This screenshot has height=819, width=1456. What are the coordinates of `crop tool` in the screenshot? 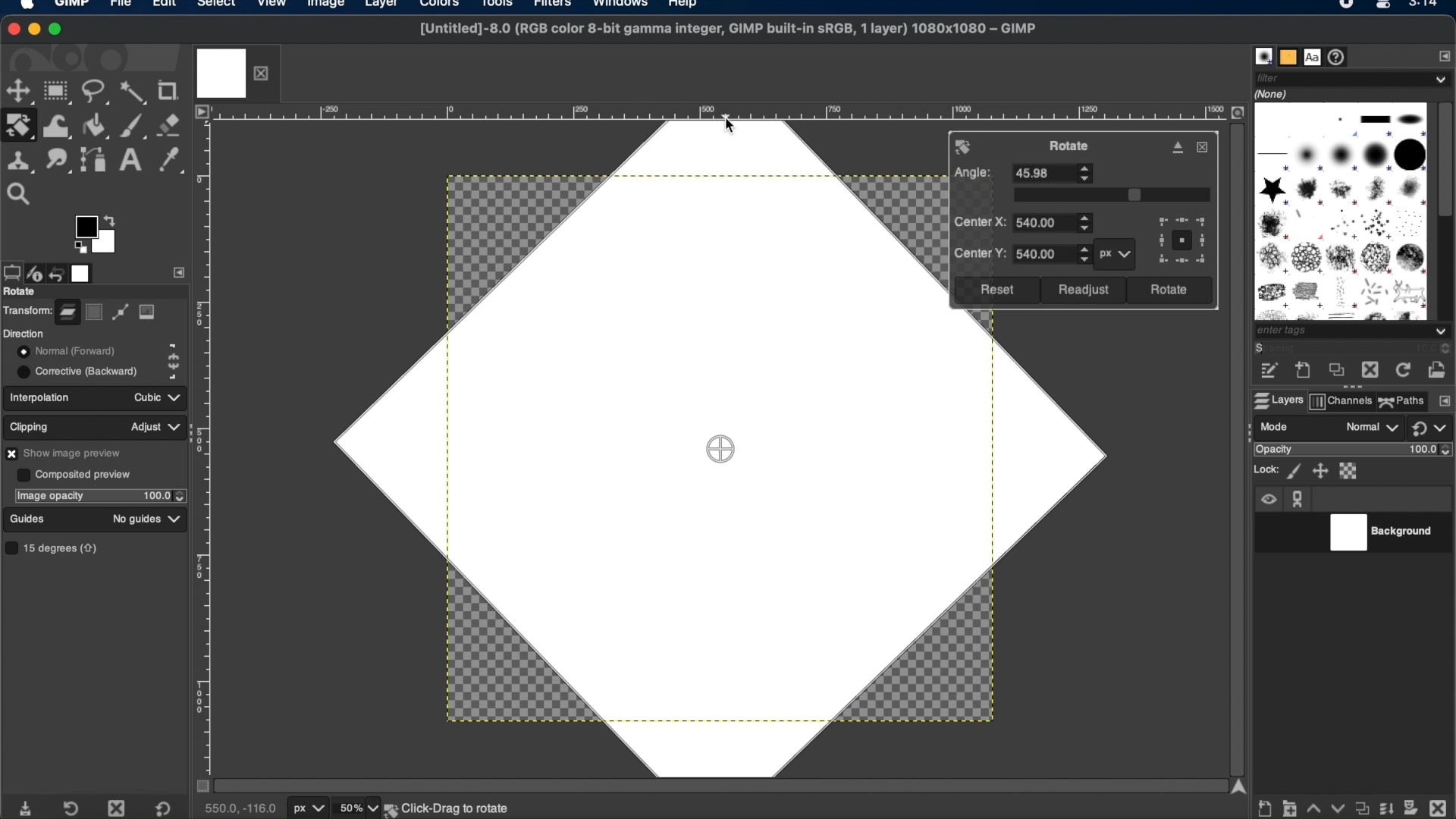 It's located at (171, 90).